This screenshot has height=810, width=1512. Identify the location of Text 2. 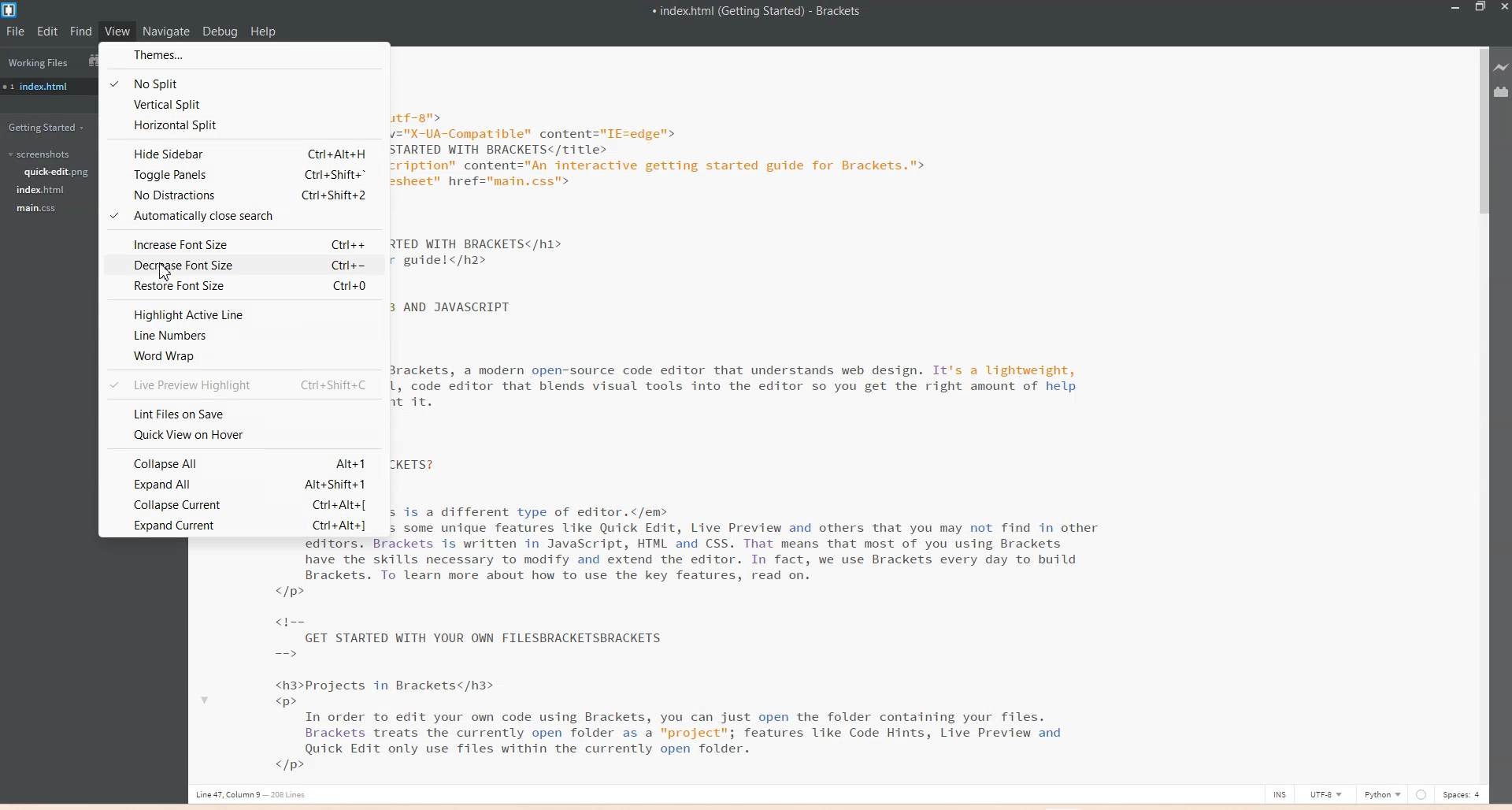
(756, 409).